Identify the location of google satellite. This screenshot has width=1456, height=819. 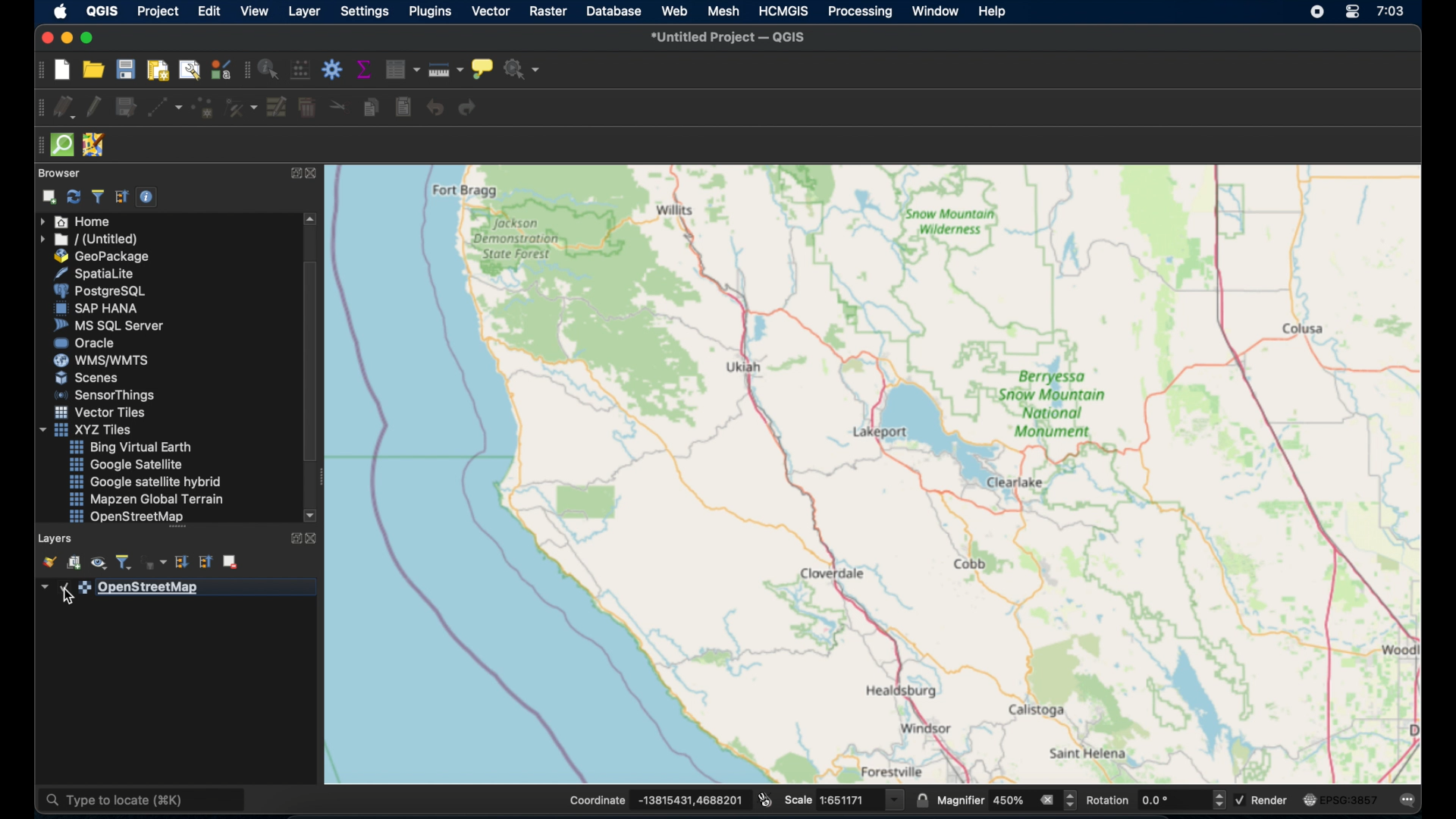
(132, 466).